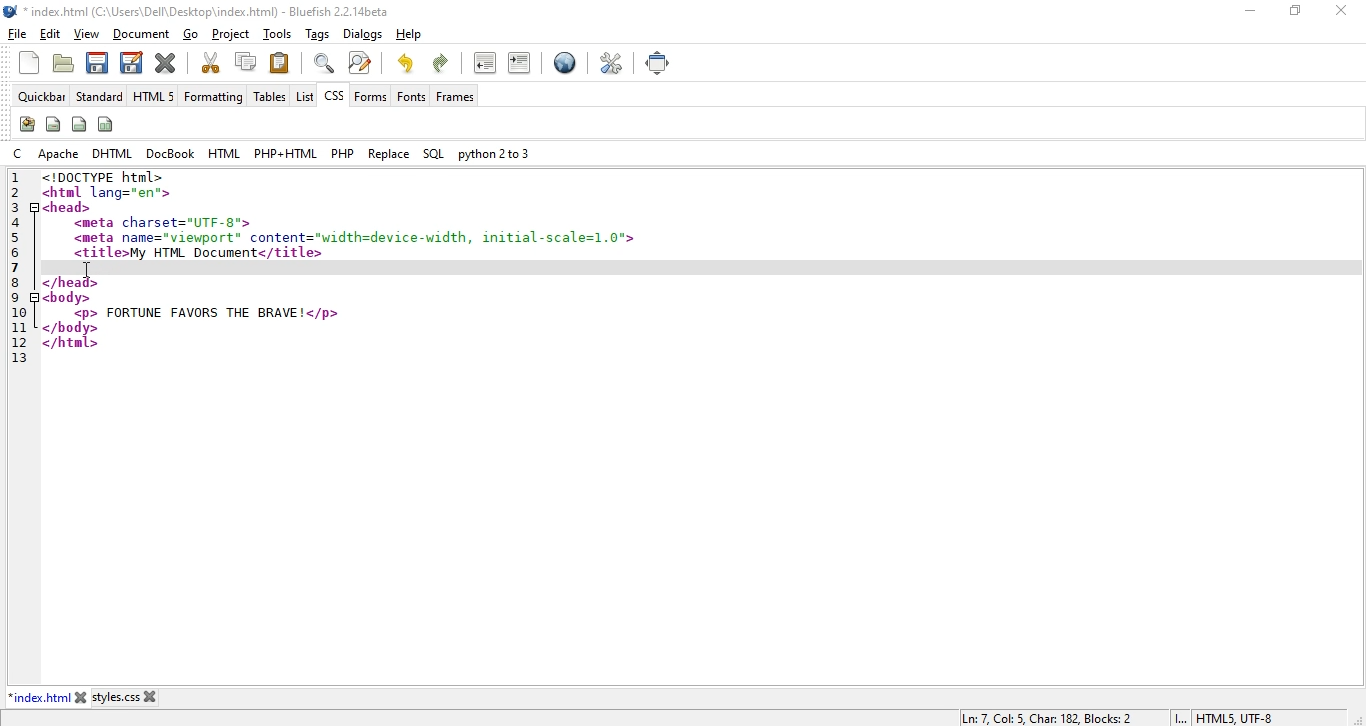 This screenshot has height=726, width=1366. I want to click on columns, so click(107, 124).